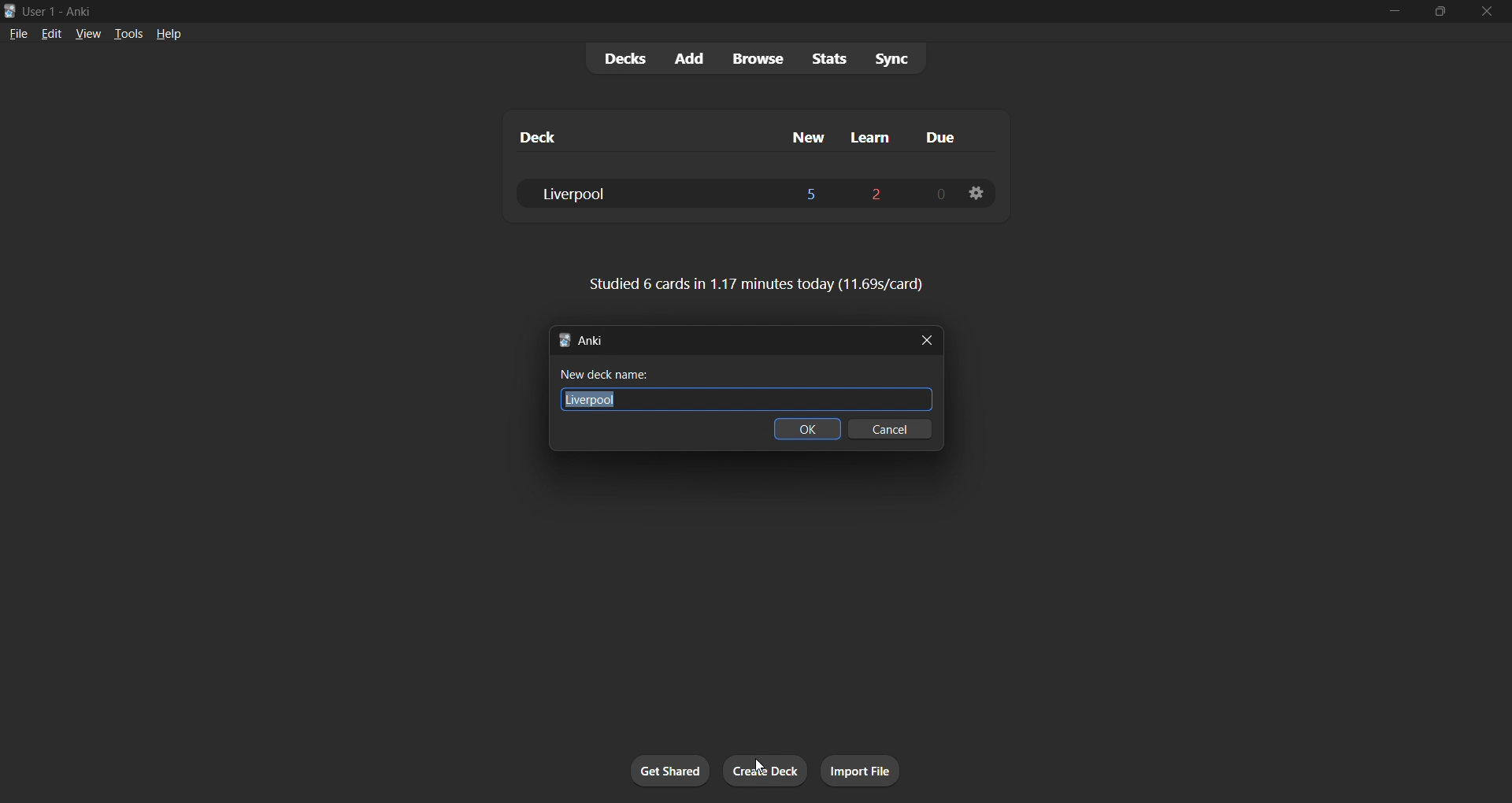 Image resolution: width=1512 pixels, height=803 pixels. I want to click on input field, so click(750, 398).